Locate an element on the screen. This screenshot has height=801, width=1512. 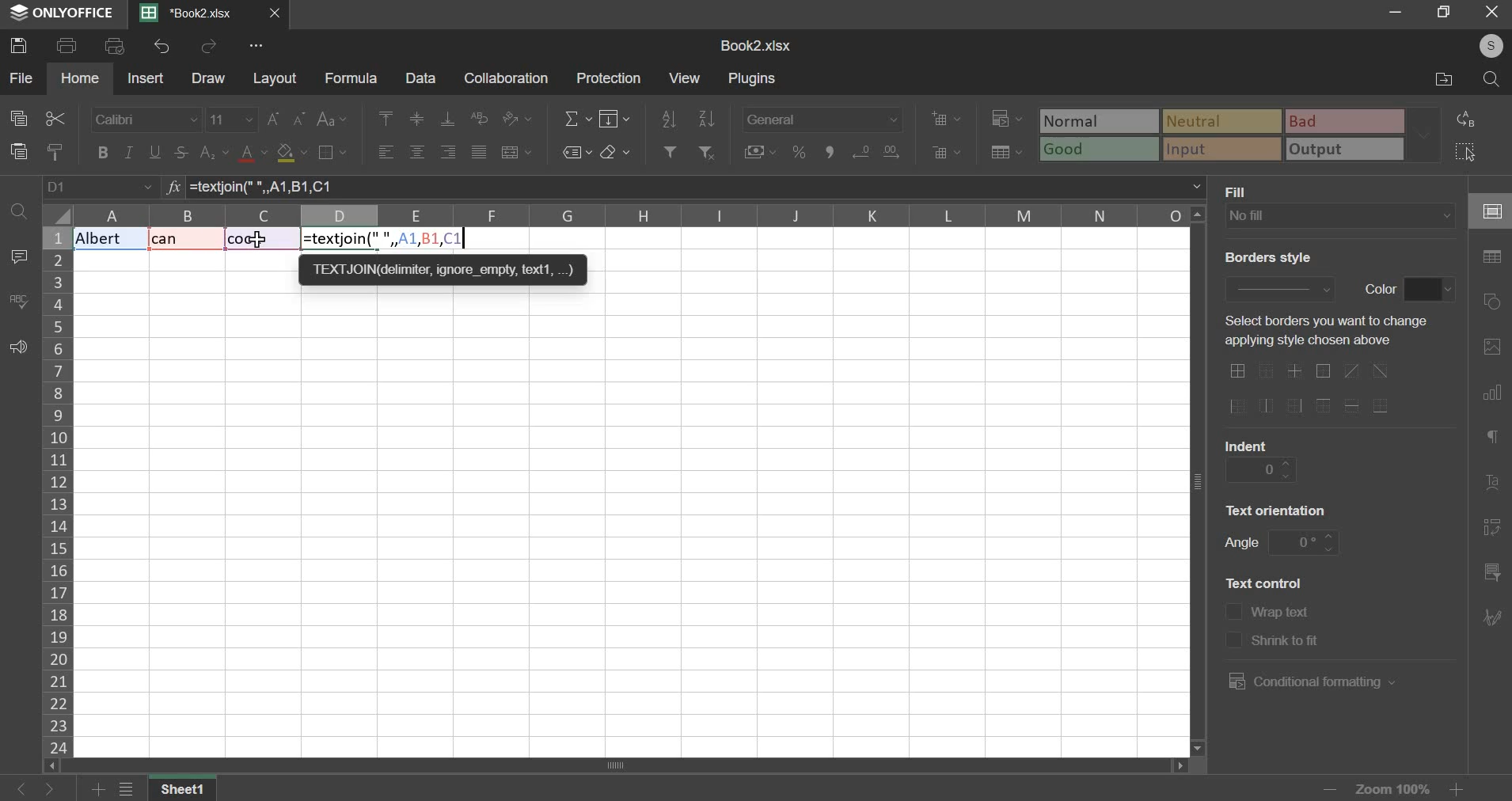
text is located at coordinates (1278, 509).